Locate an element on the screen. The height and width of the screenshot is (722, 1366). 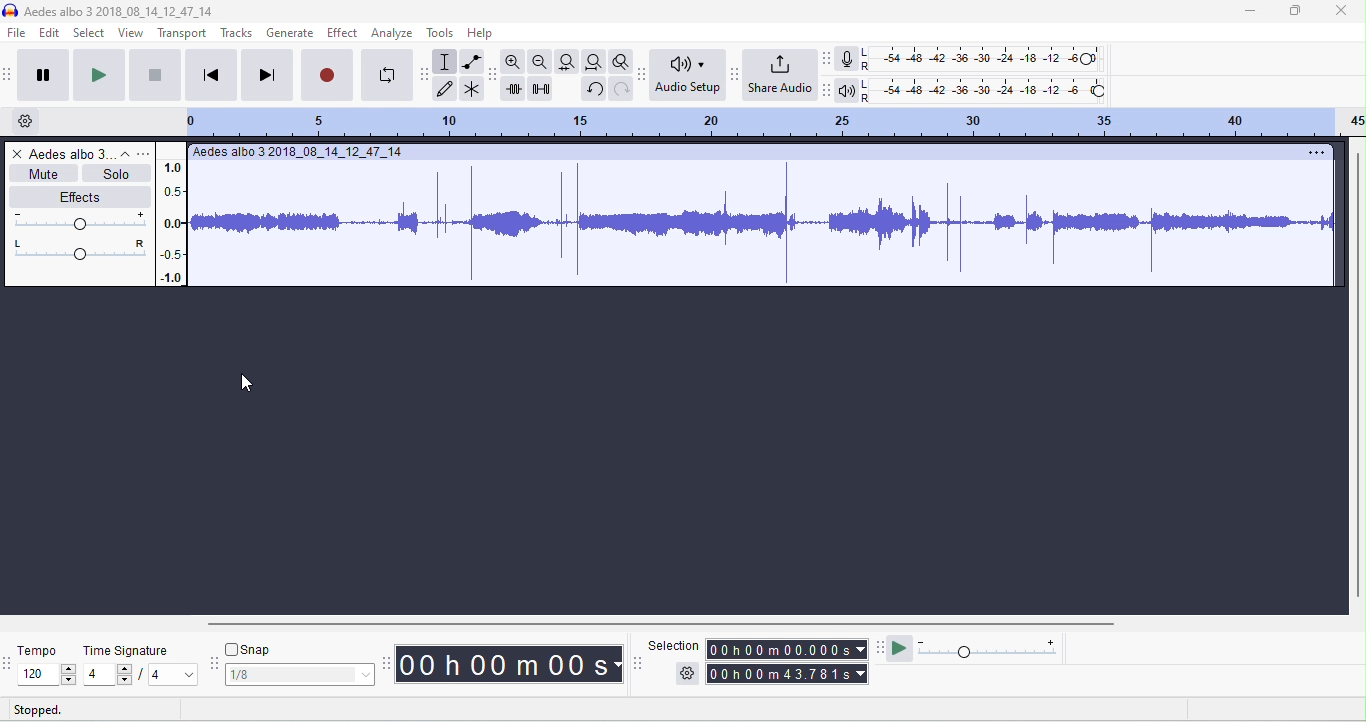
close is located at coordinates (1342, 9).